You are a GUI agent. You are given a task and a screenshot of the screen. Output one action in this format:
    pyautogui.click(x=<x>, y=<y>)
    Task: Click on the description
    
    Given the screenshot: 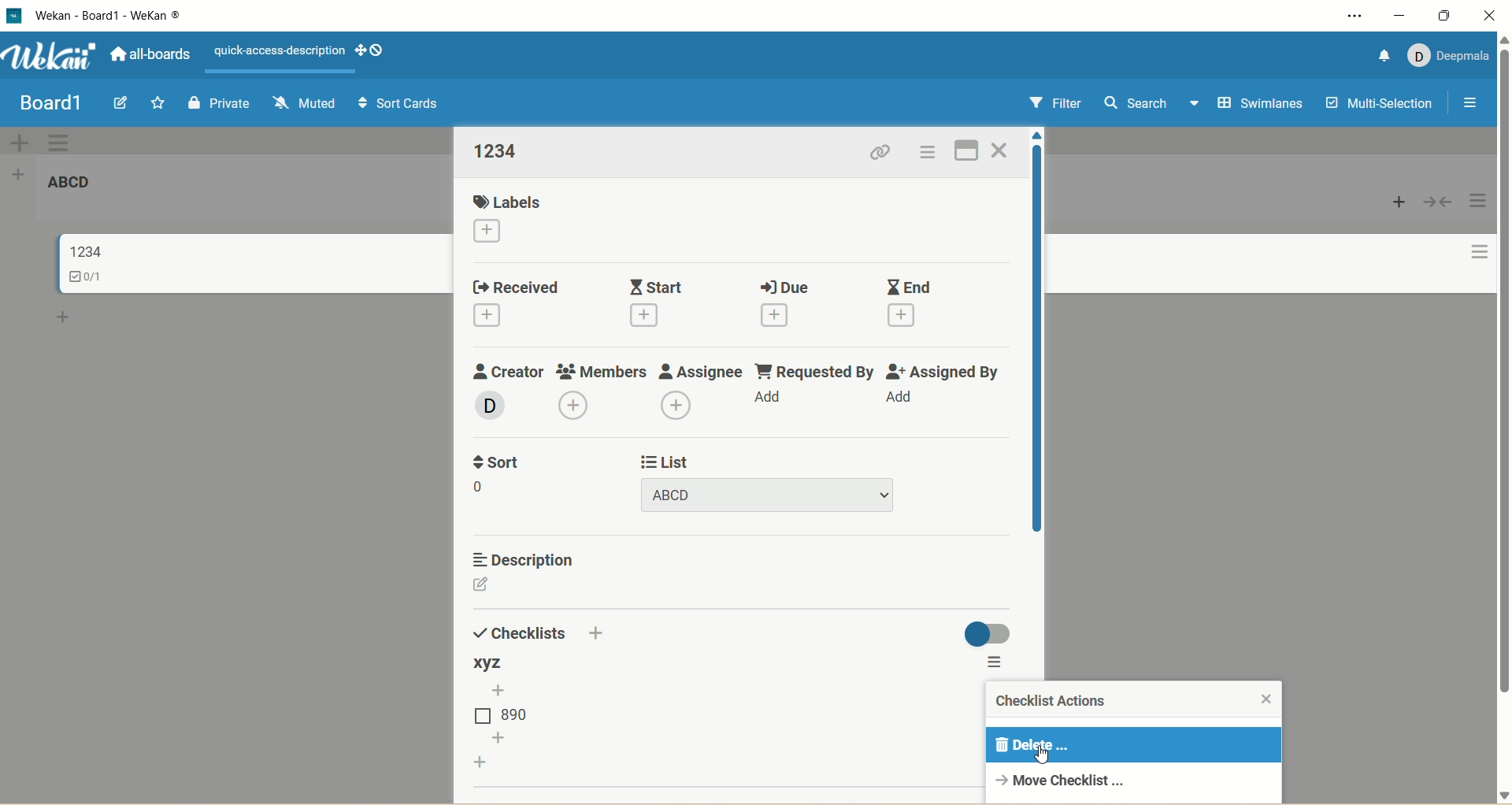 What is the action you would take?
    pyautogui.click(x=525, y=558)
    